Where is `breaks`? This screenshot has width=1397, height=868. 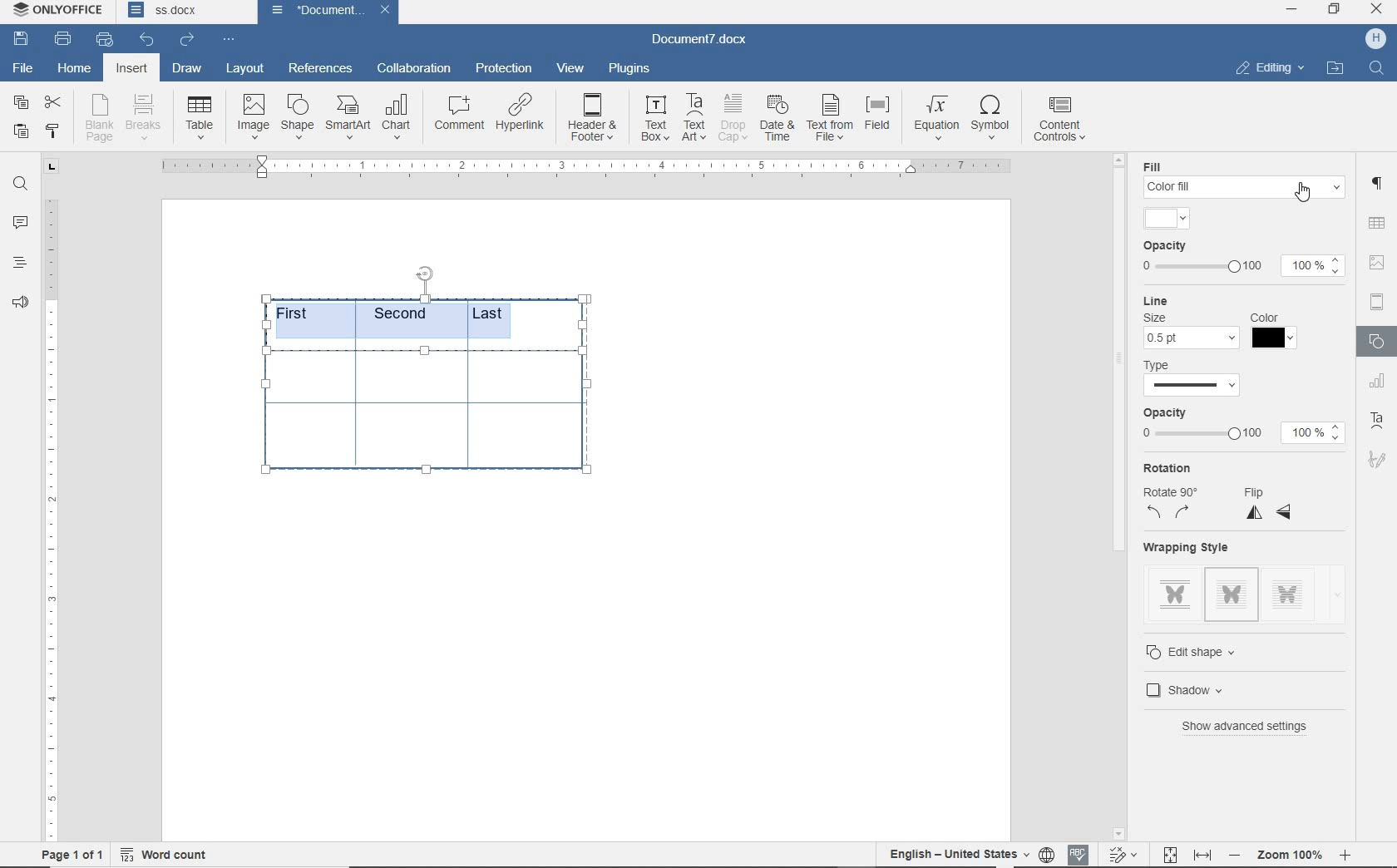
breaks is located at coordinates (146, 117).